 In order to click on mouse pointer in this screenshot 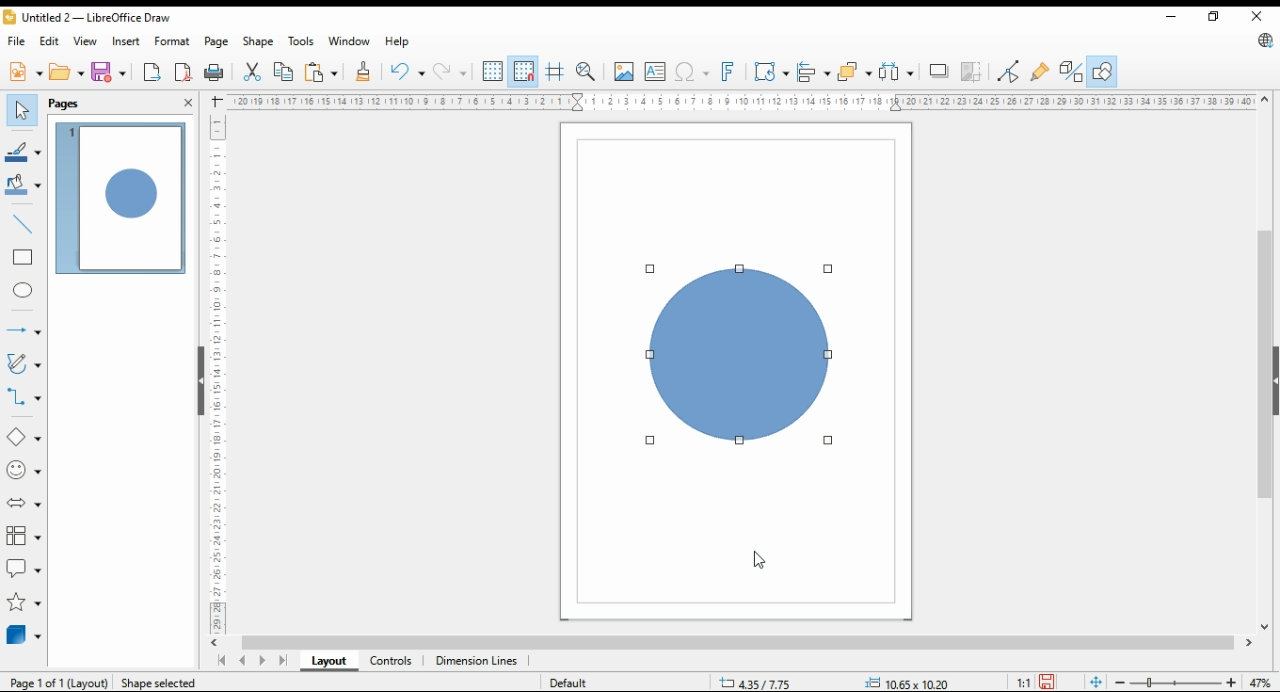, I will do `click(754, 564)`.